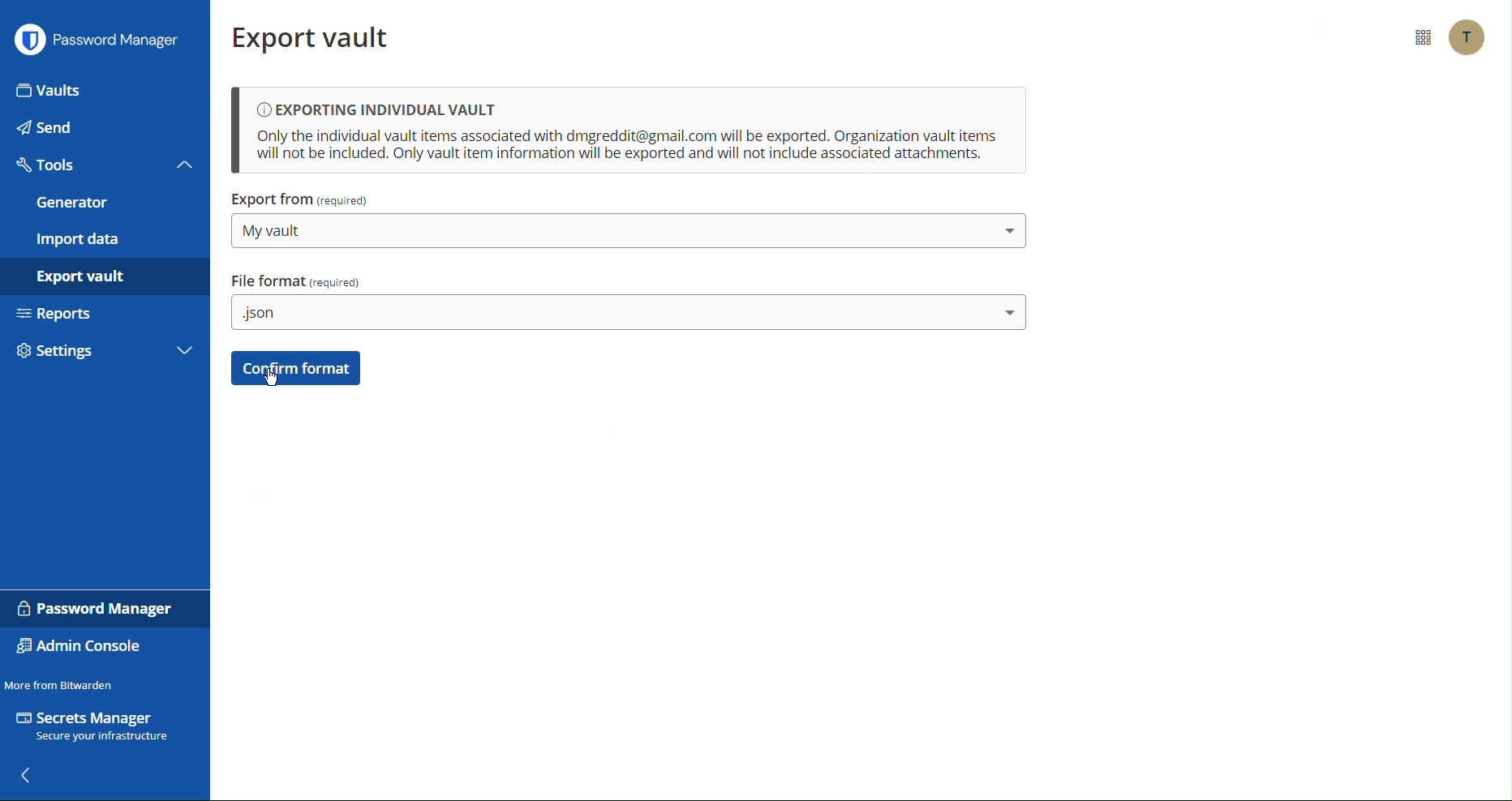 This screenshot has width=1512, height=801. I want to click on Export From, so click(301, 201).